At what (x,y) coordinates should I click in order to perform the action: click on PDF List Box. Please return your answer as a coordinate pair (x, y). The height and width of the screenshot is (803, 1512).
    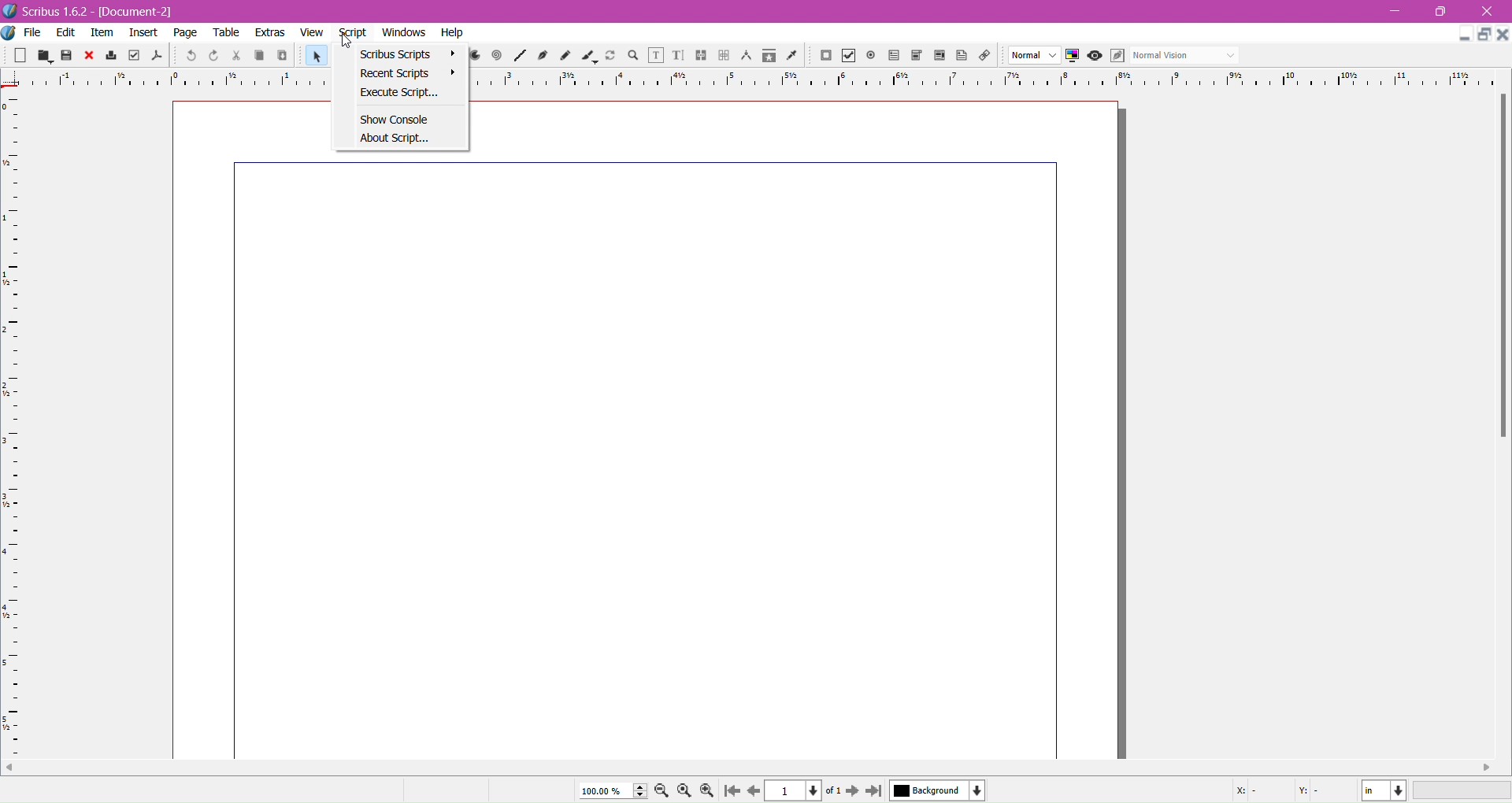
    Looking at the image, I should click on (940, 56).